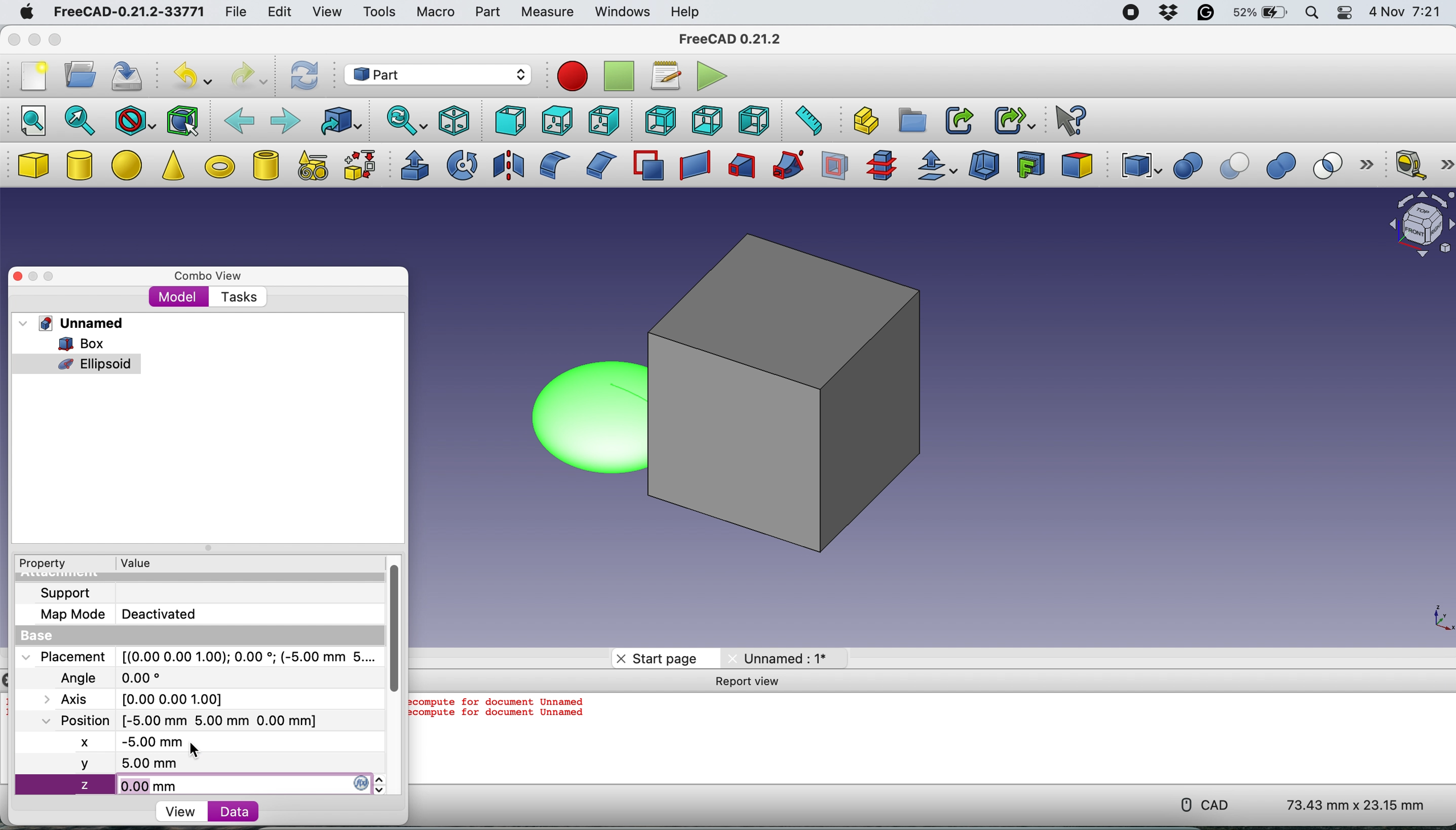 The image size is (1456, 830). I want to click on extrude, so click(411, 165).